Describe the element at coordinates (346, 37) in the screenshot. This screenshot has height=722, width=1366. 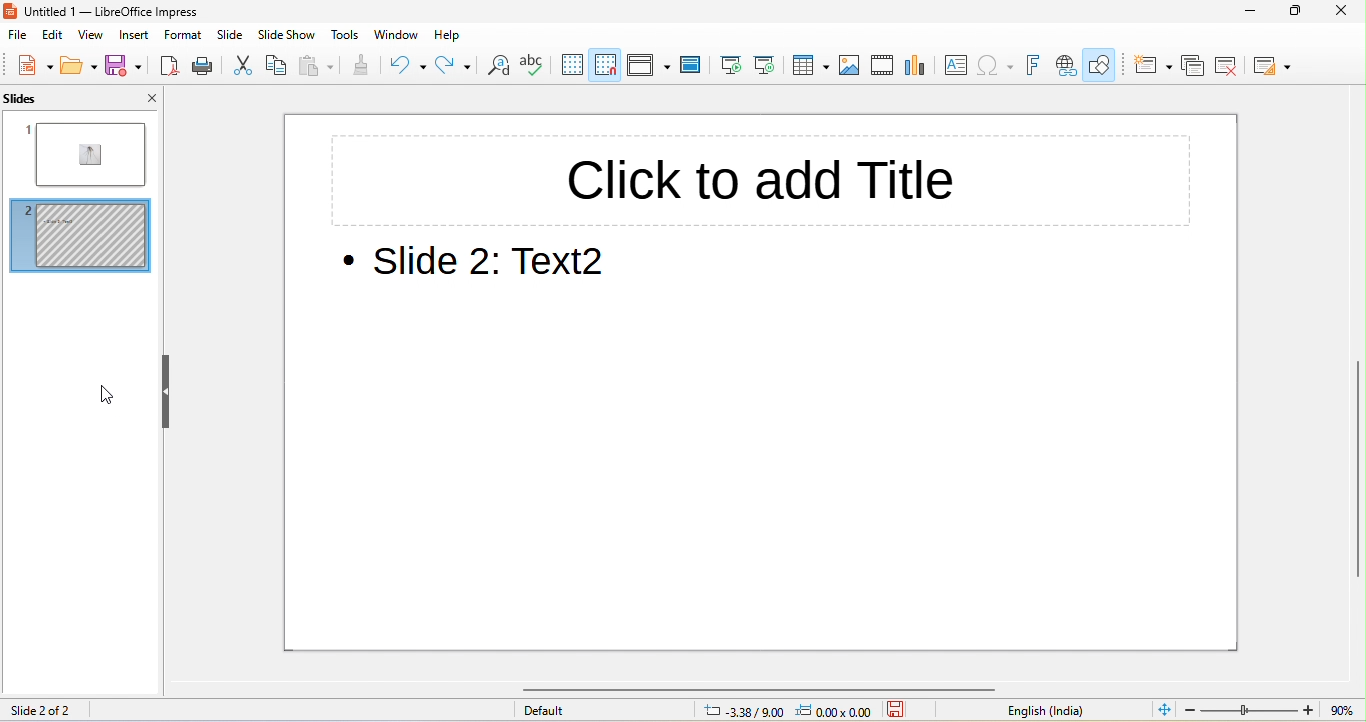
I see `tools` at that location.